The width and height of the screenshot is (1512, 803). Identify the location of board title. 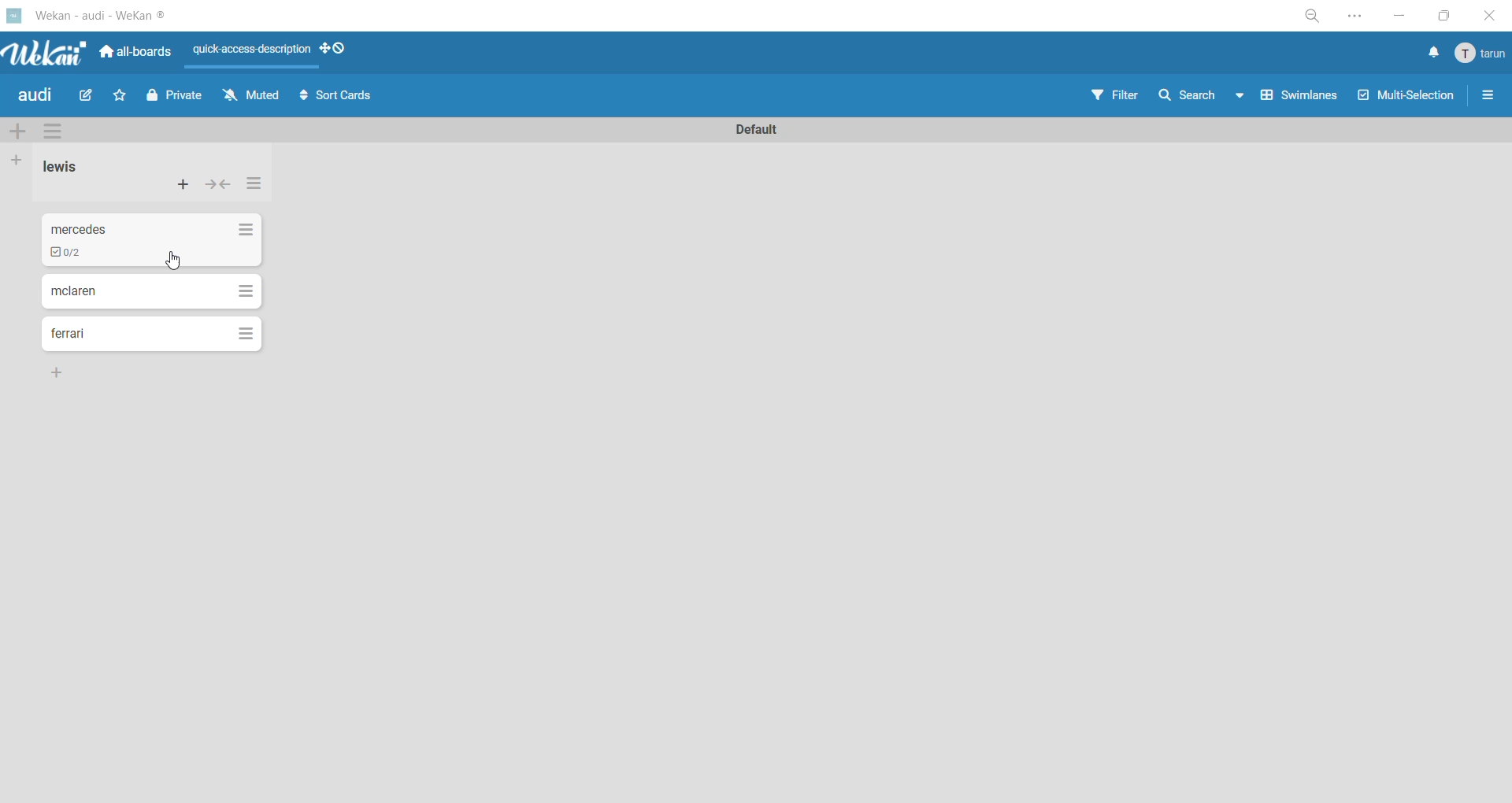
(32, 98).